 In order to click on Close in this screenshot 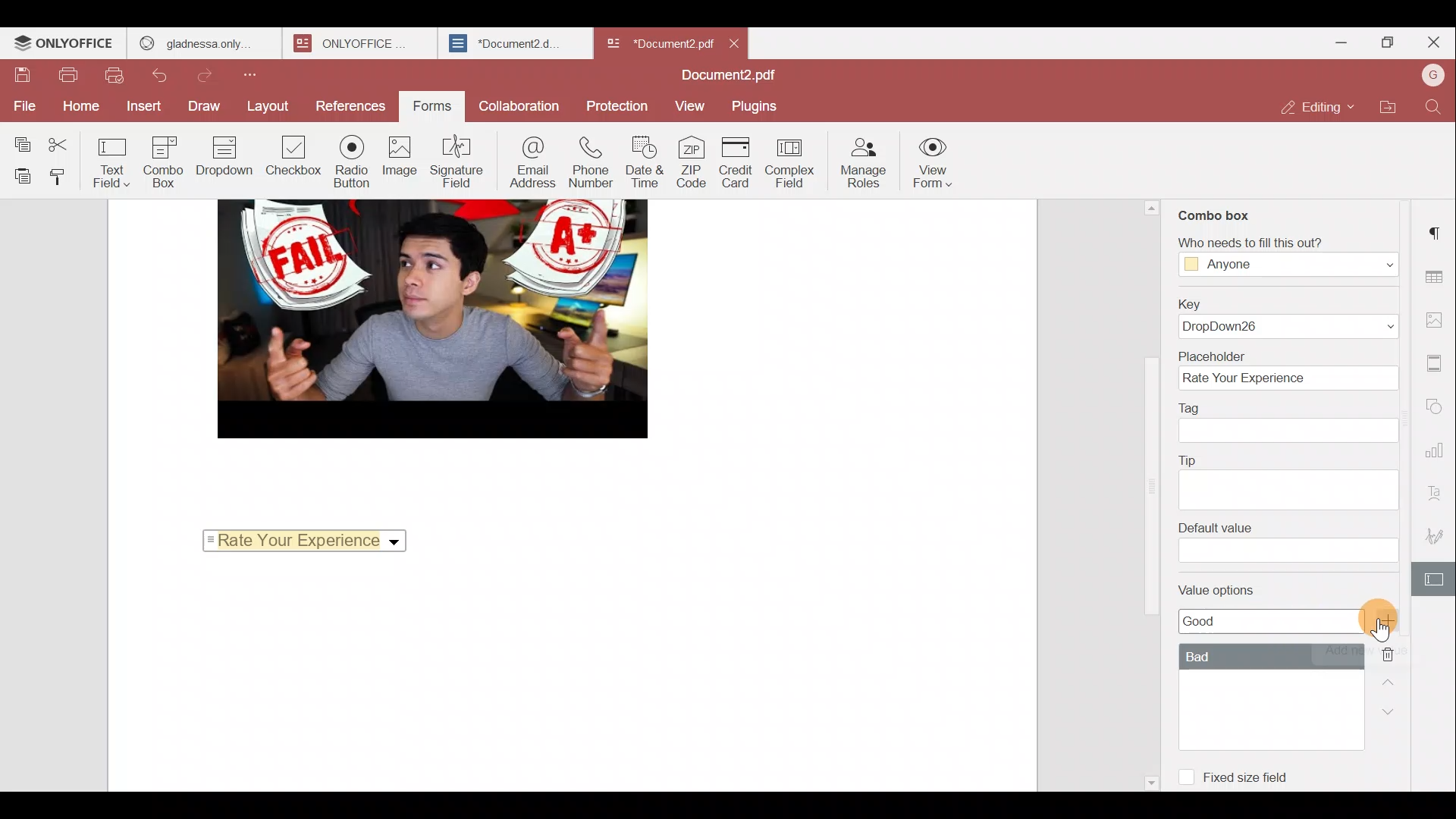, I will do `click(736, 41)`.